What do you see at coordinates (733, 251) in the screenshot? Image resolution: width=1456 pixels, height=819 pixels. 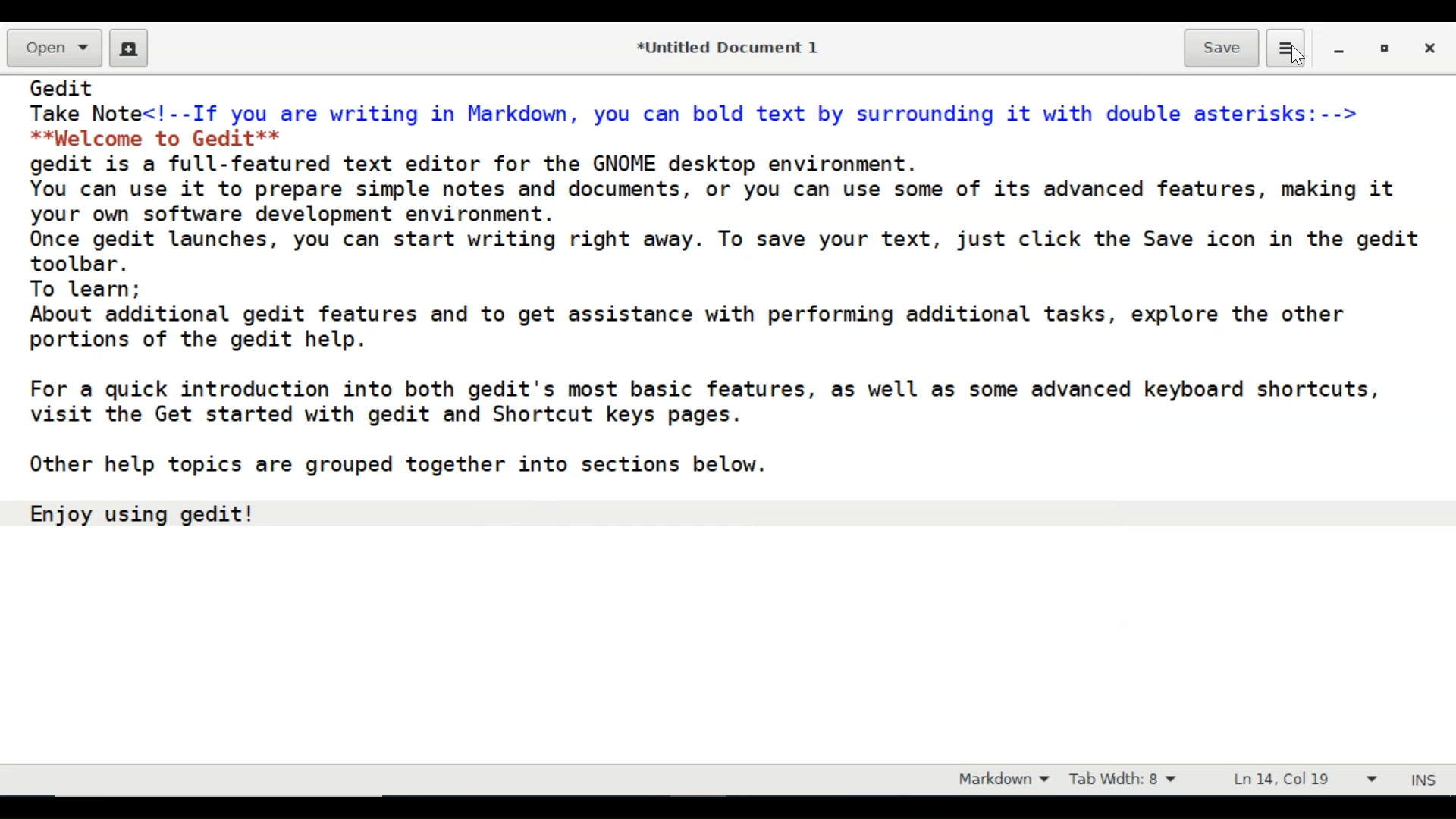 I see `Once gedit launches, you can start writing right away. To save your text, just click the Save icon in the gedit toolbar.` at bounding box center [733, 251].